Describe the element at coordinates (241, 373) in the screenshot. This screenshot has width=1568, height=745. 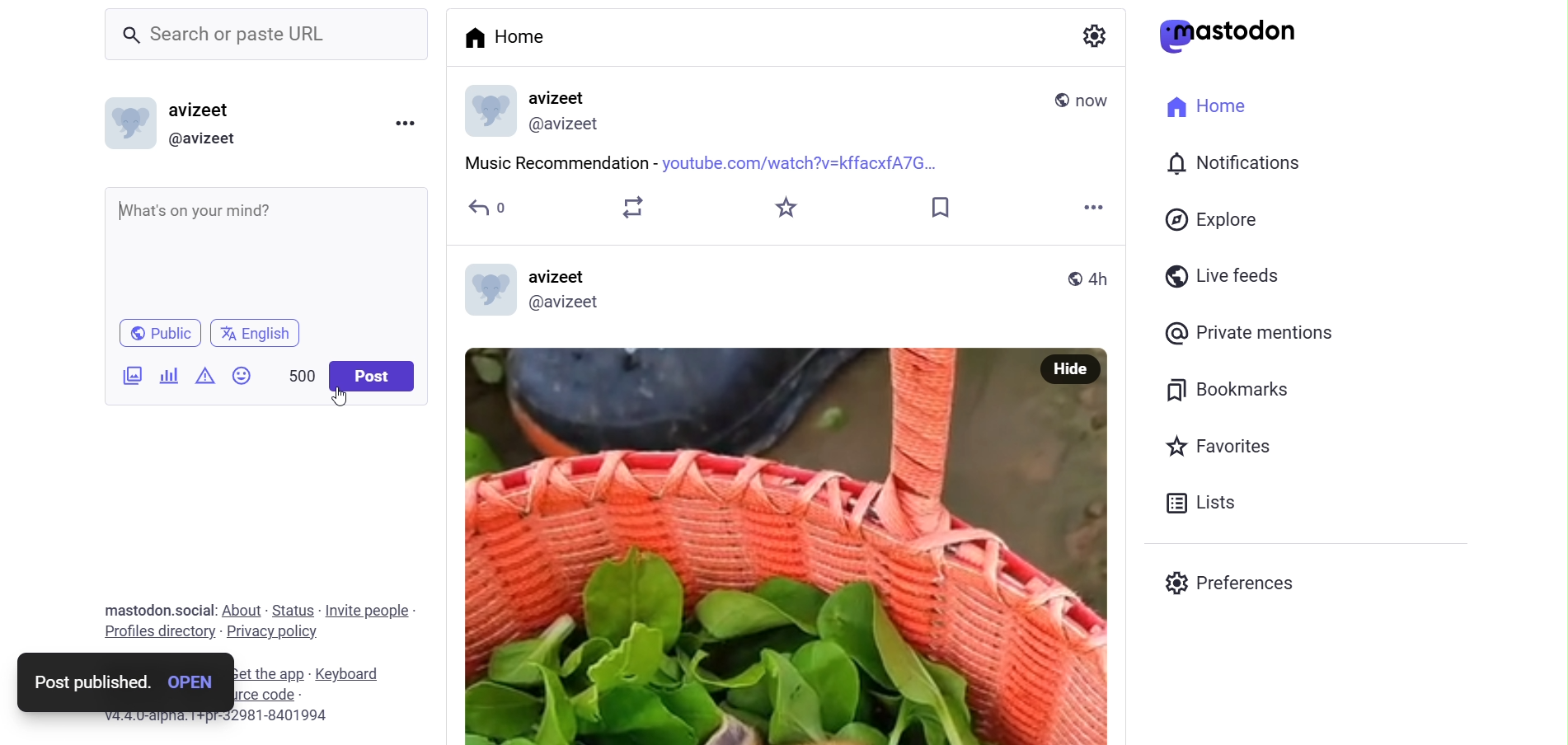
I see `Emojis` at that location.